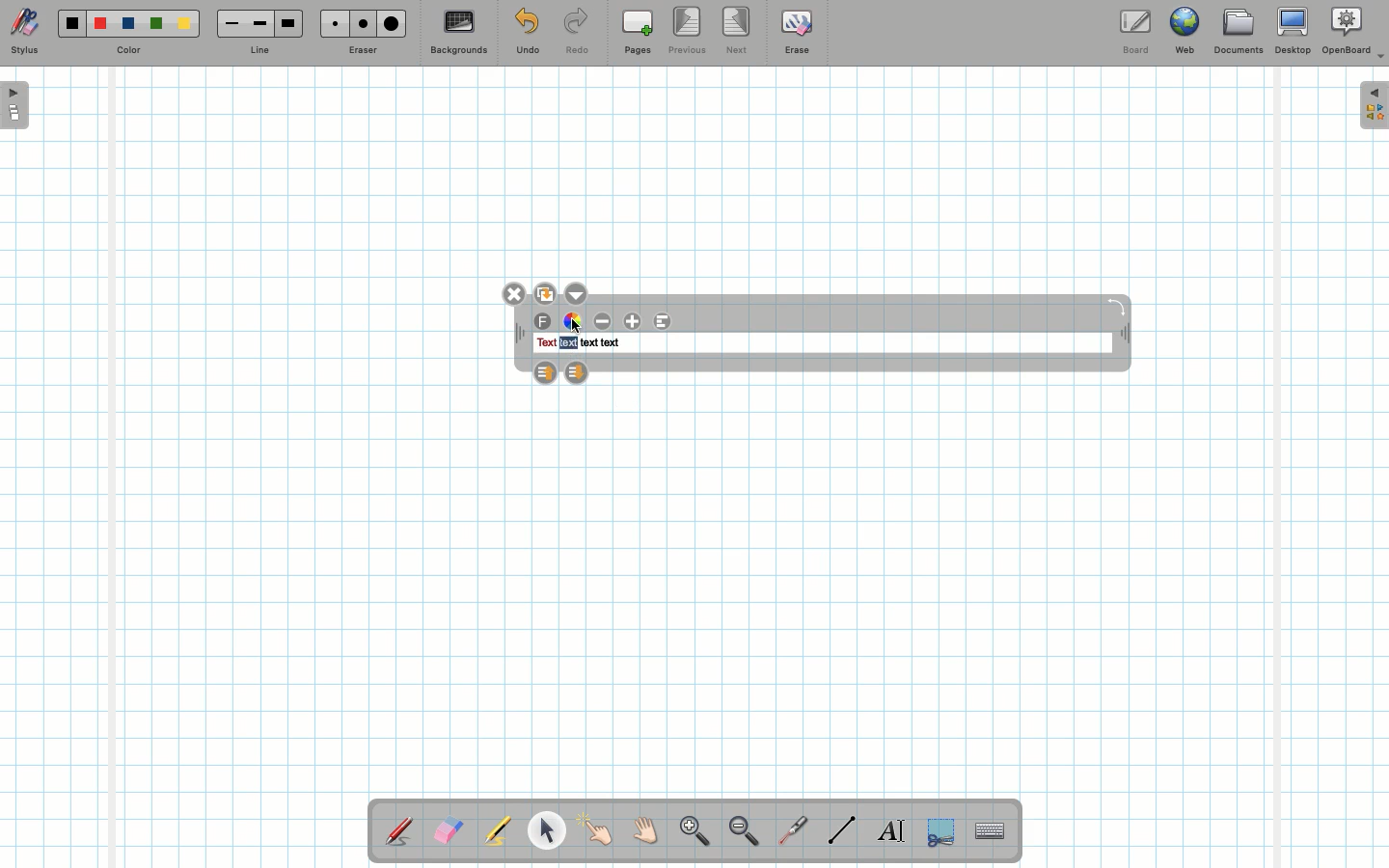 The image size is (1389, 868). Describe the element at coordinates (939, 829) in the screenshot. I see `Selection` at that location.